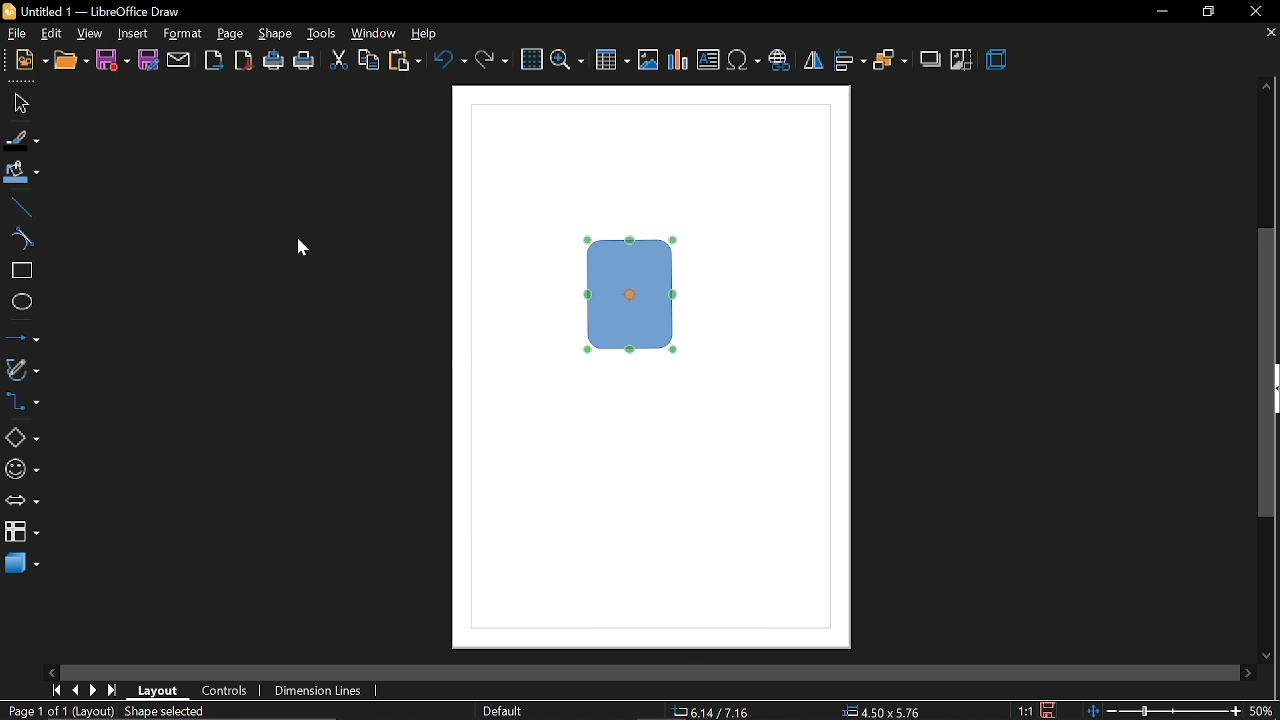 This screenshot has width=1280, height=720. What do you see at coordinates (929, 60) in the screenshot?
I see `shadow` at bounding box center [929, 60].